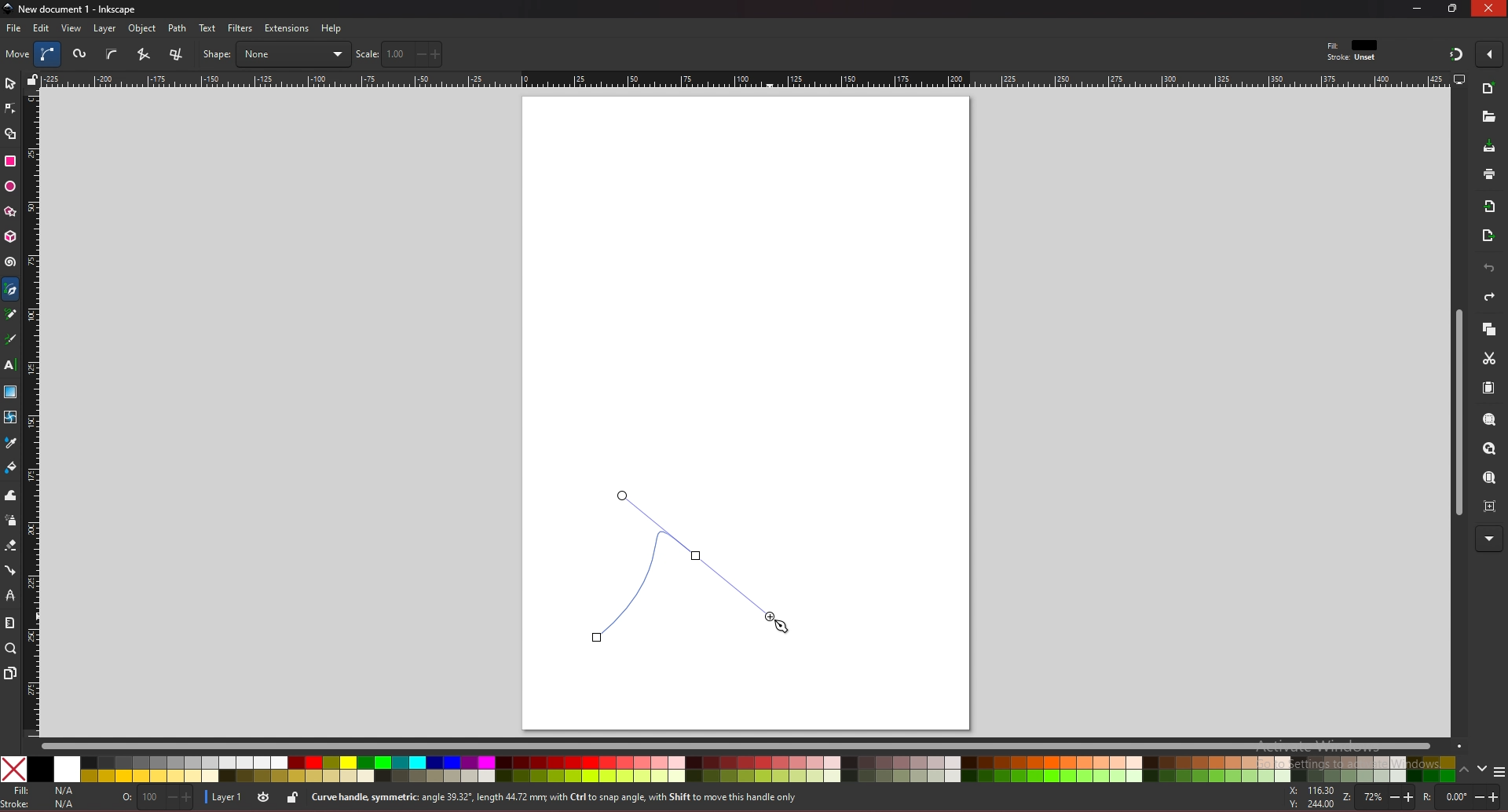  What do you see at coordinates (265, 797) in the screenshot?
I see `toggle visibility` at bounding box center [265, 797].